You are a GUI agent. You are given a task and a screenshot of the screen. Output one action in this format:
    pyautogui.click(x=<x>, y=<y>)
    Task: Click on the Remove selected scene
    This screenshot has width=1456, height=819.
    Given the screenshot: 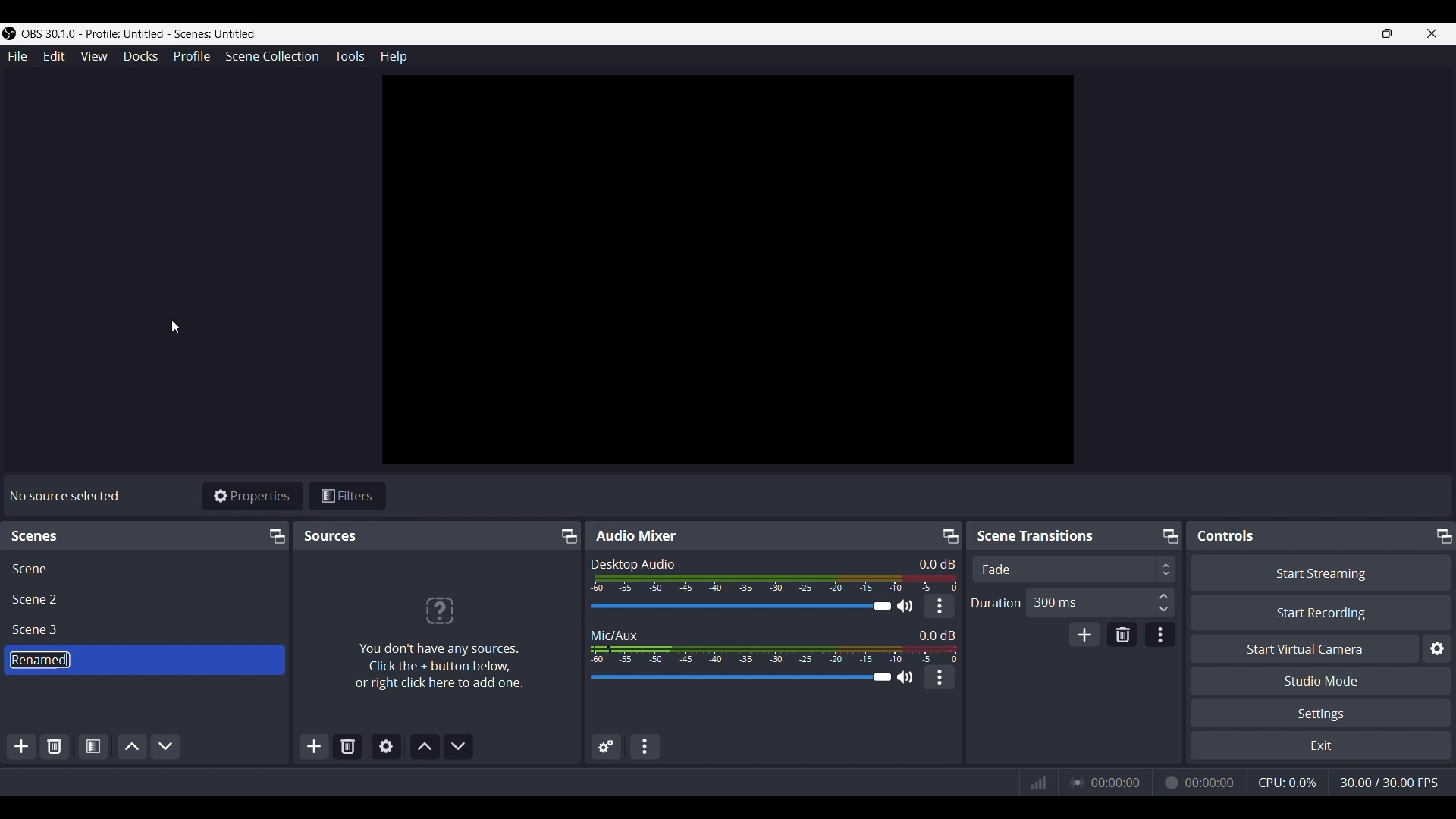 What is the action you would take?
    pyautogui.click(x=55, y=746)
    